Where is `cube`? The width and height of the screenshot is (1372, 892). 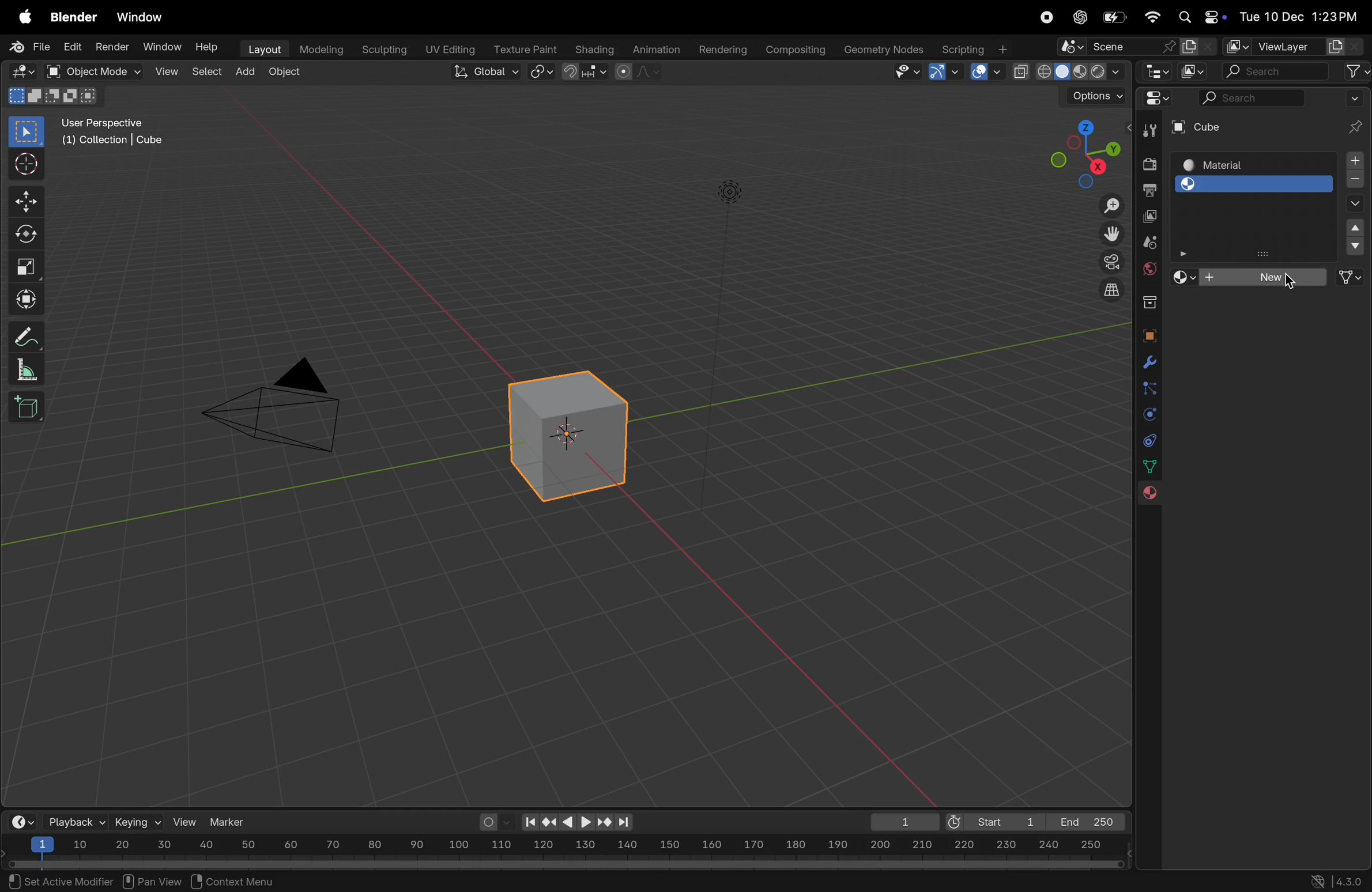
cube is located at coordinates (1355, 235).